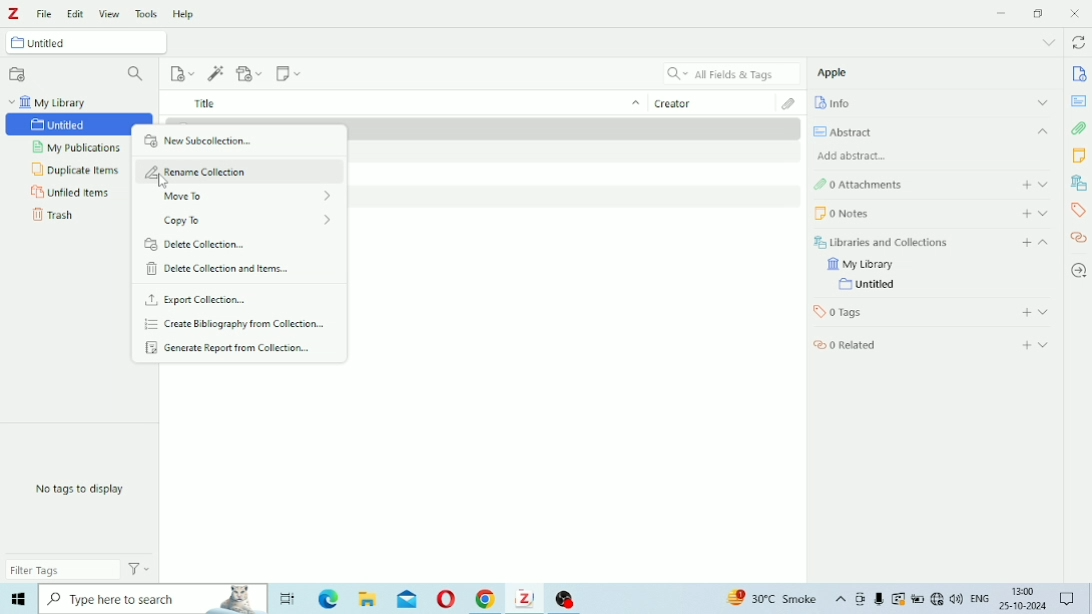  What do you see at coordinates (1043, 312) in the screenshot?
I see `Expand section` at bounding box center [1043, 312].